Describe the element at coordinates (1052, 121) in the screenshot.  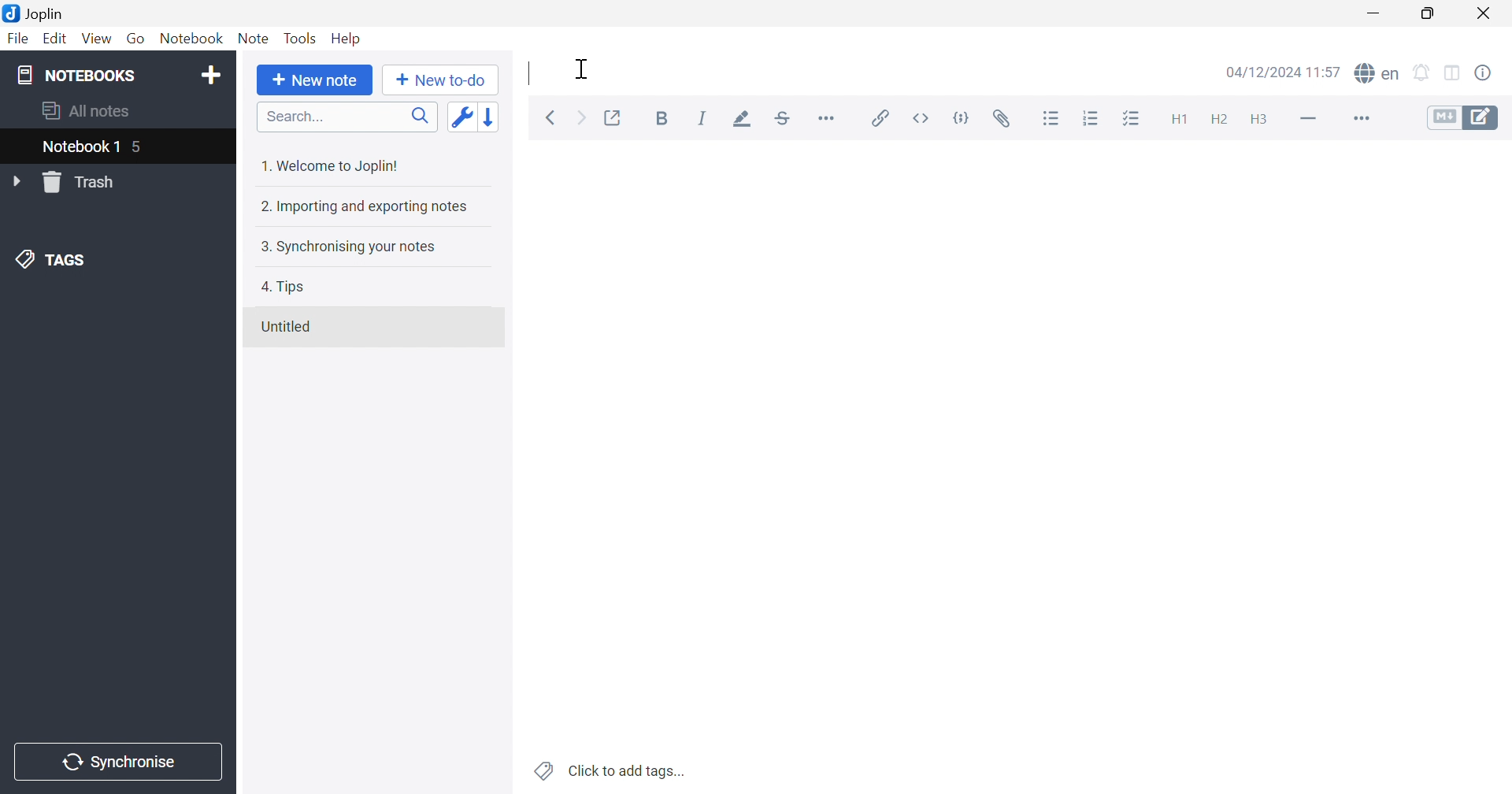
I see `Bulleted list` at that location.